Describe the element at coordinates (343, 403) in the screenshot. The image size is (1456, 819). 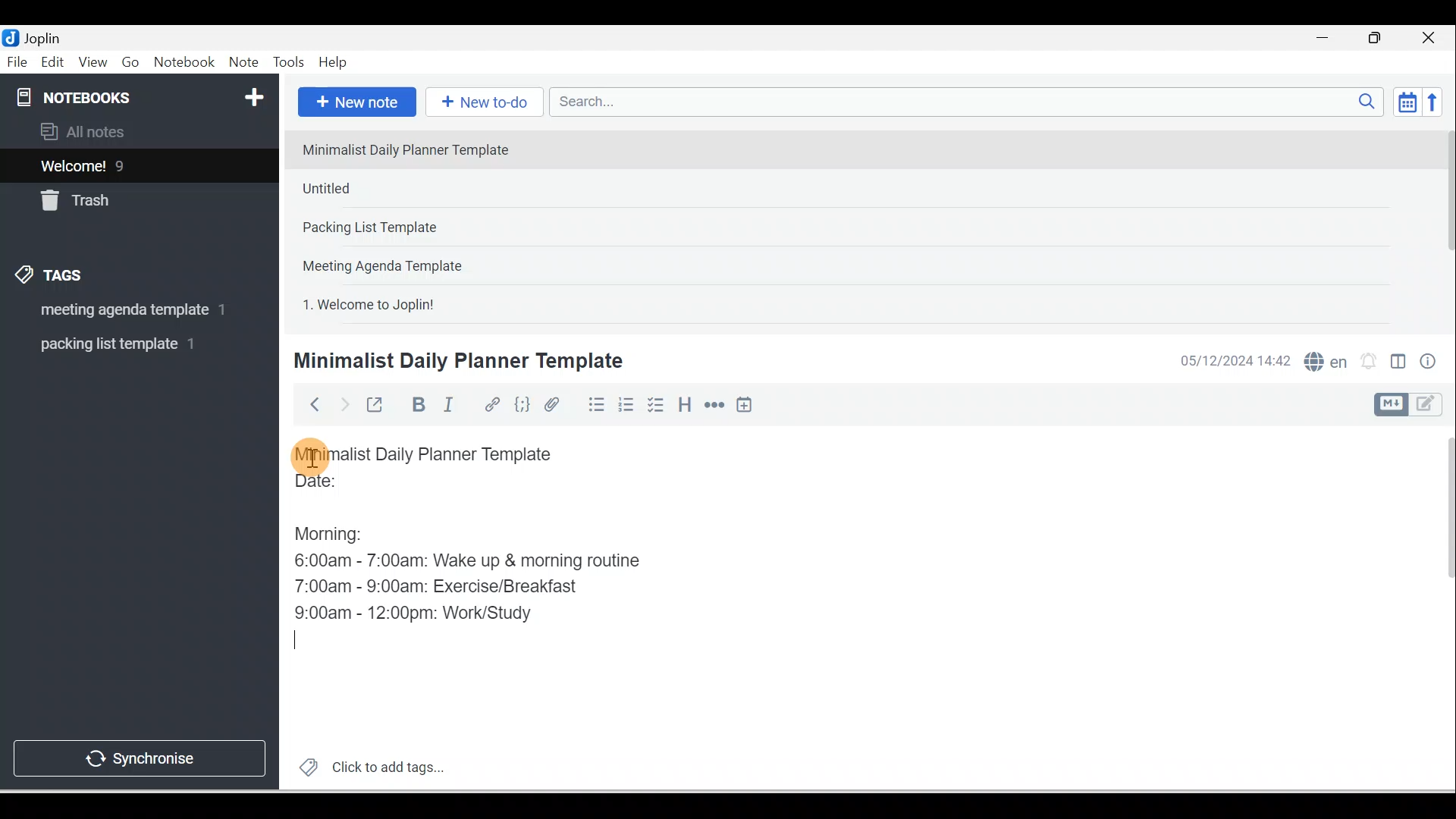
I see `Forward` at that location.